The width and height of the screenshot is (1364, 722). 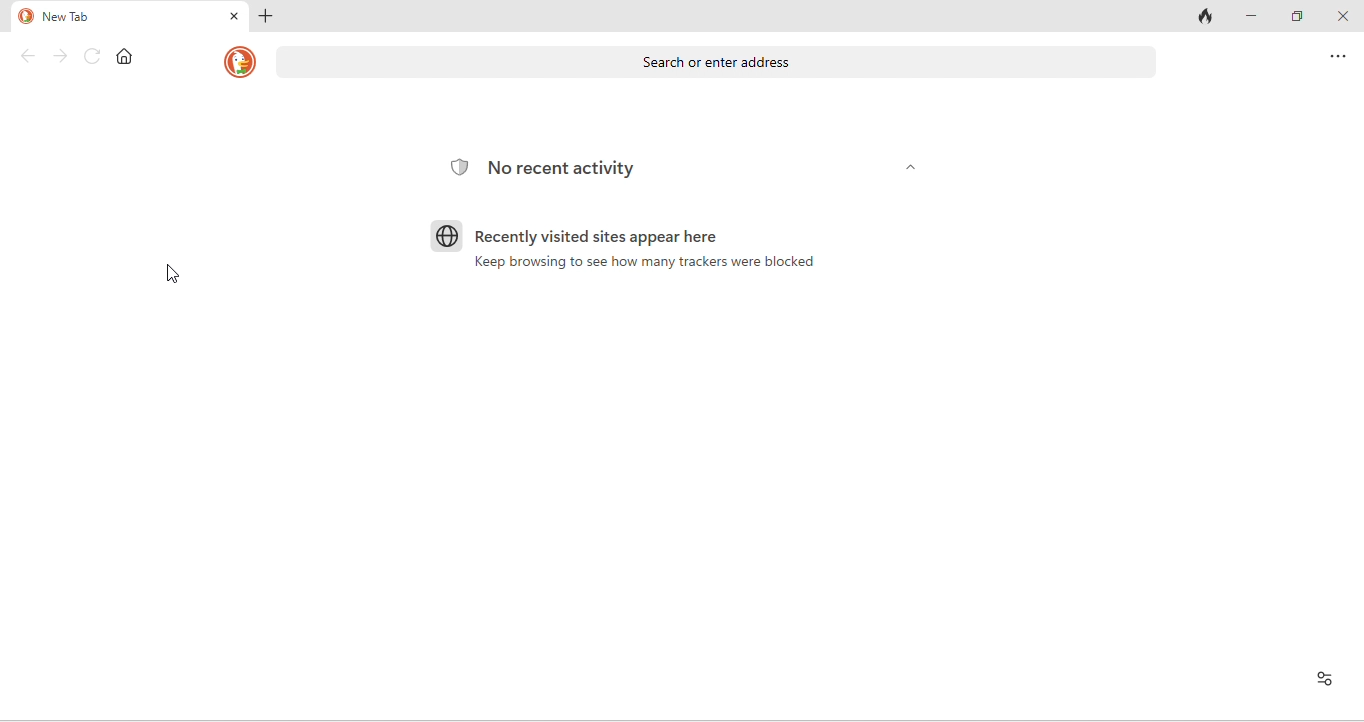 What do you see at coordinates (1344, 19) in the screenshot?
I see `close` at bounding box center [1344, 19].